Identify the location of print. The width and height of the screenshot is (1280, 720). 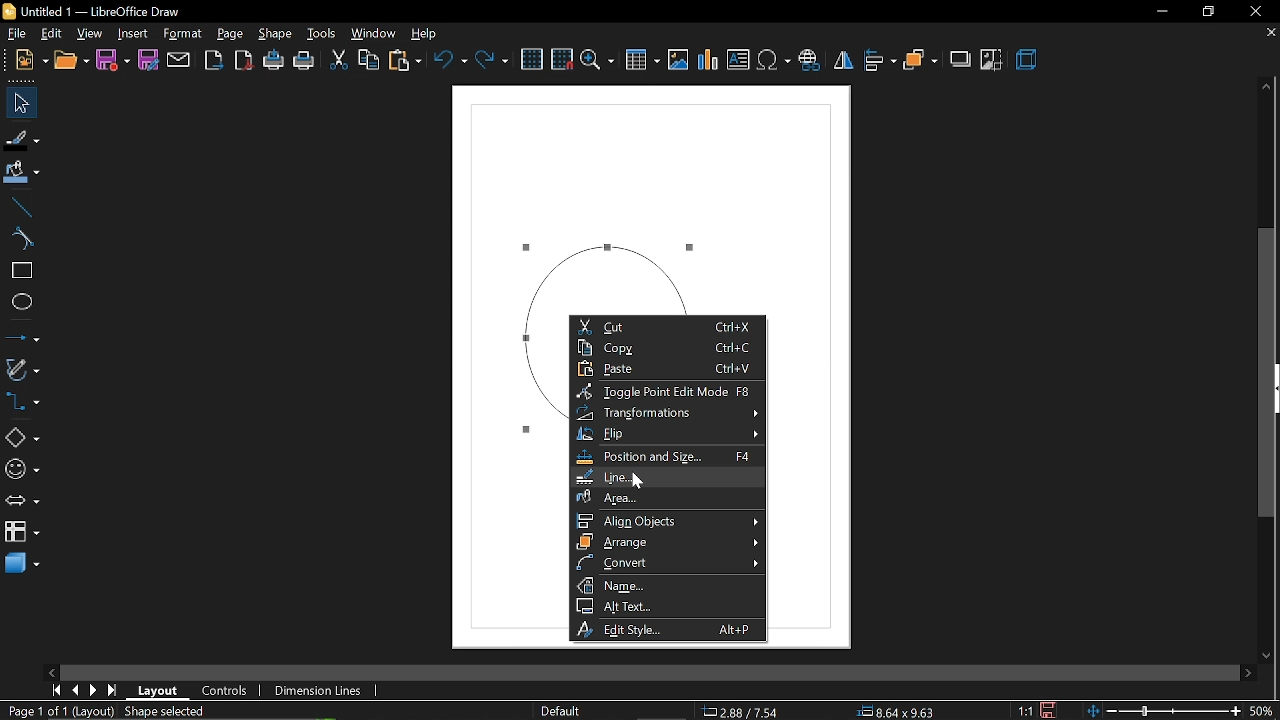
(306, 60).